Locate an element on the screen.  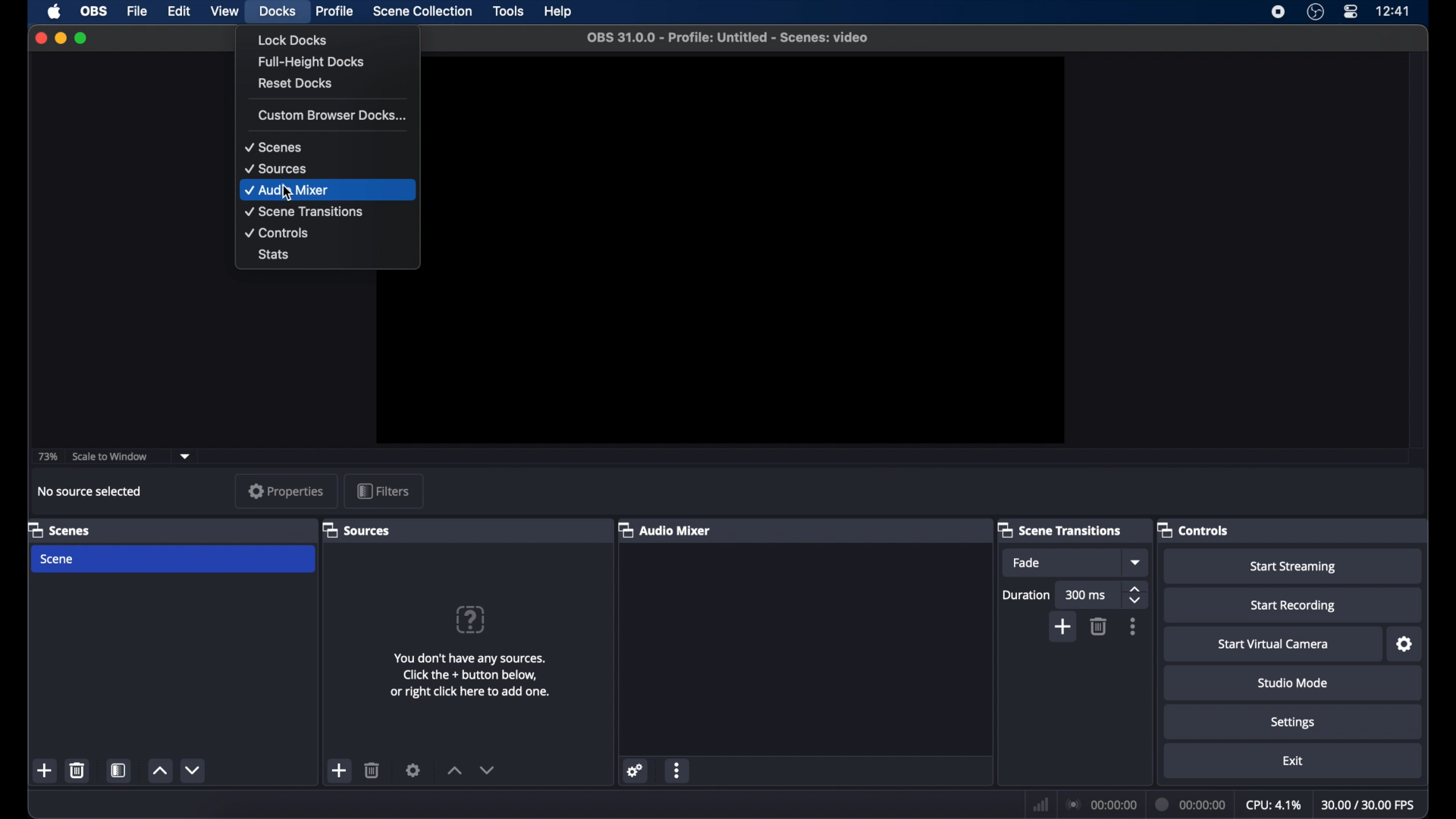
profile is located at coordinates (336, 11).